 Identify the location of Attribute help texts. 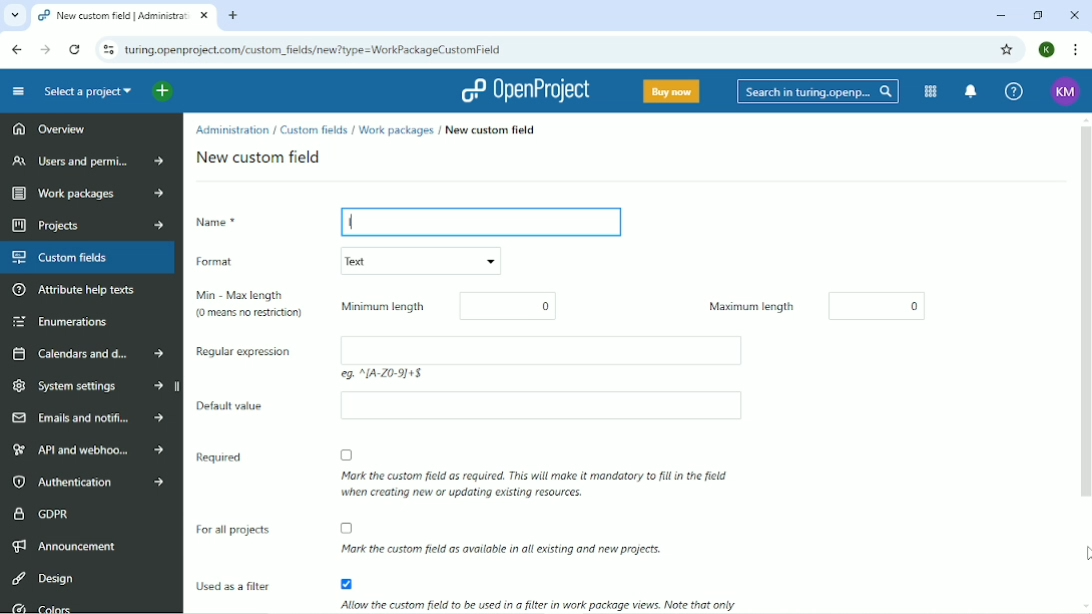
(77, 291).